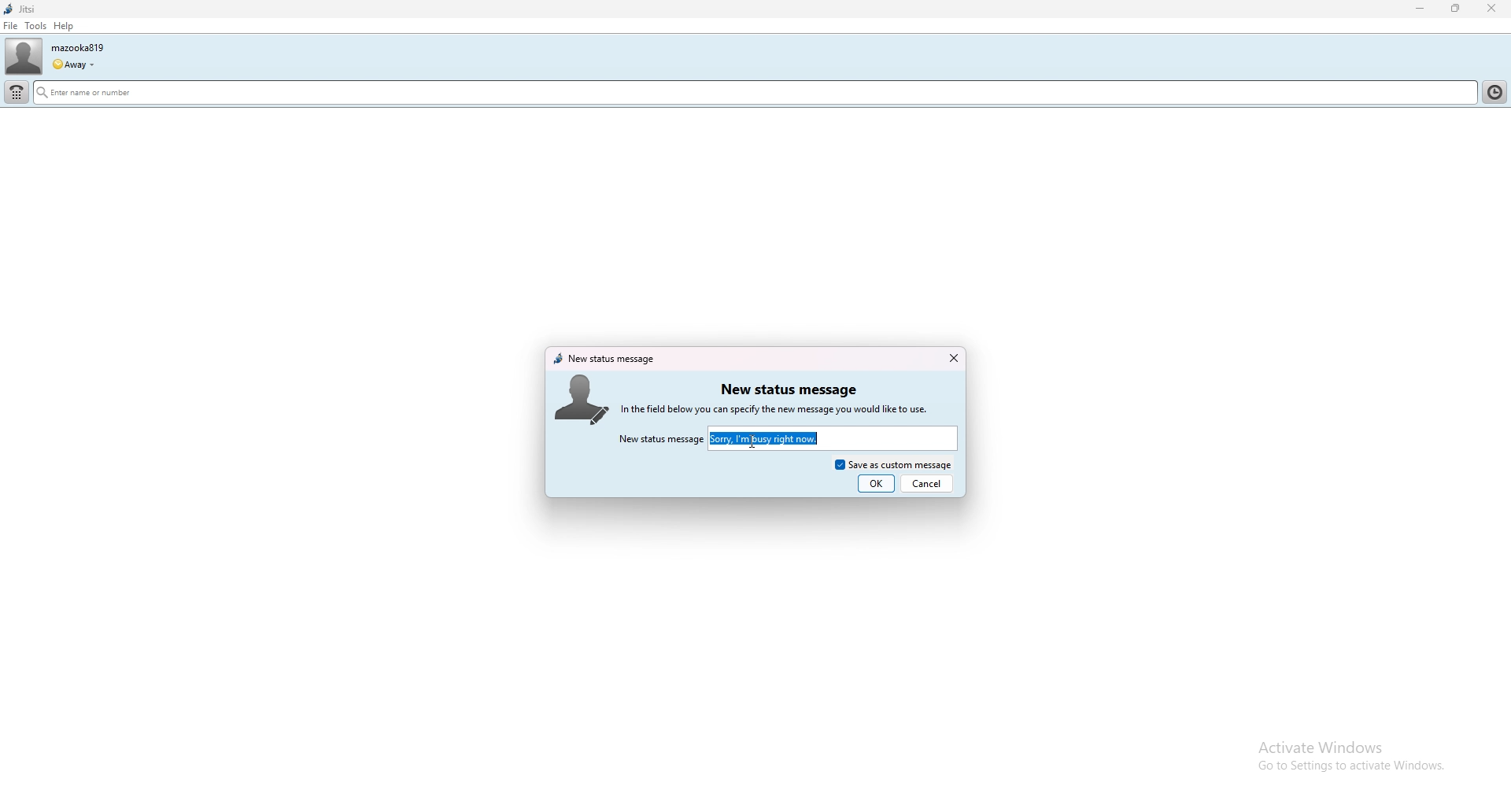  What do you see at coordinates (36, 25) in the screenshot?
I see `tools` at bounding box center [36, 25].